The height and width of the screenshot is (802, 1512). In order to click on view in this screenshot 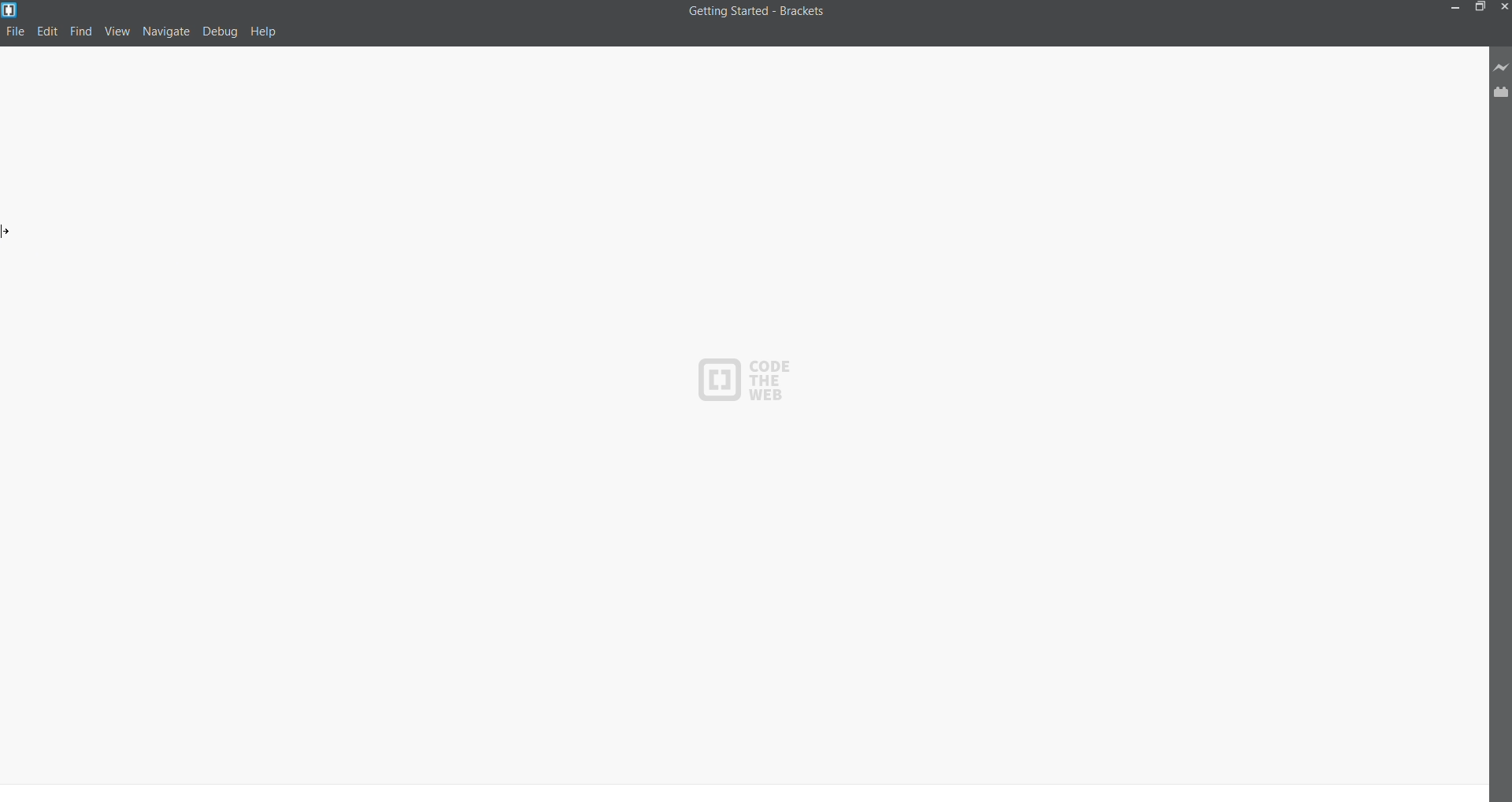, I will do `click(116, 30)`.